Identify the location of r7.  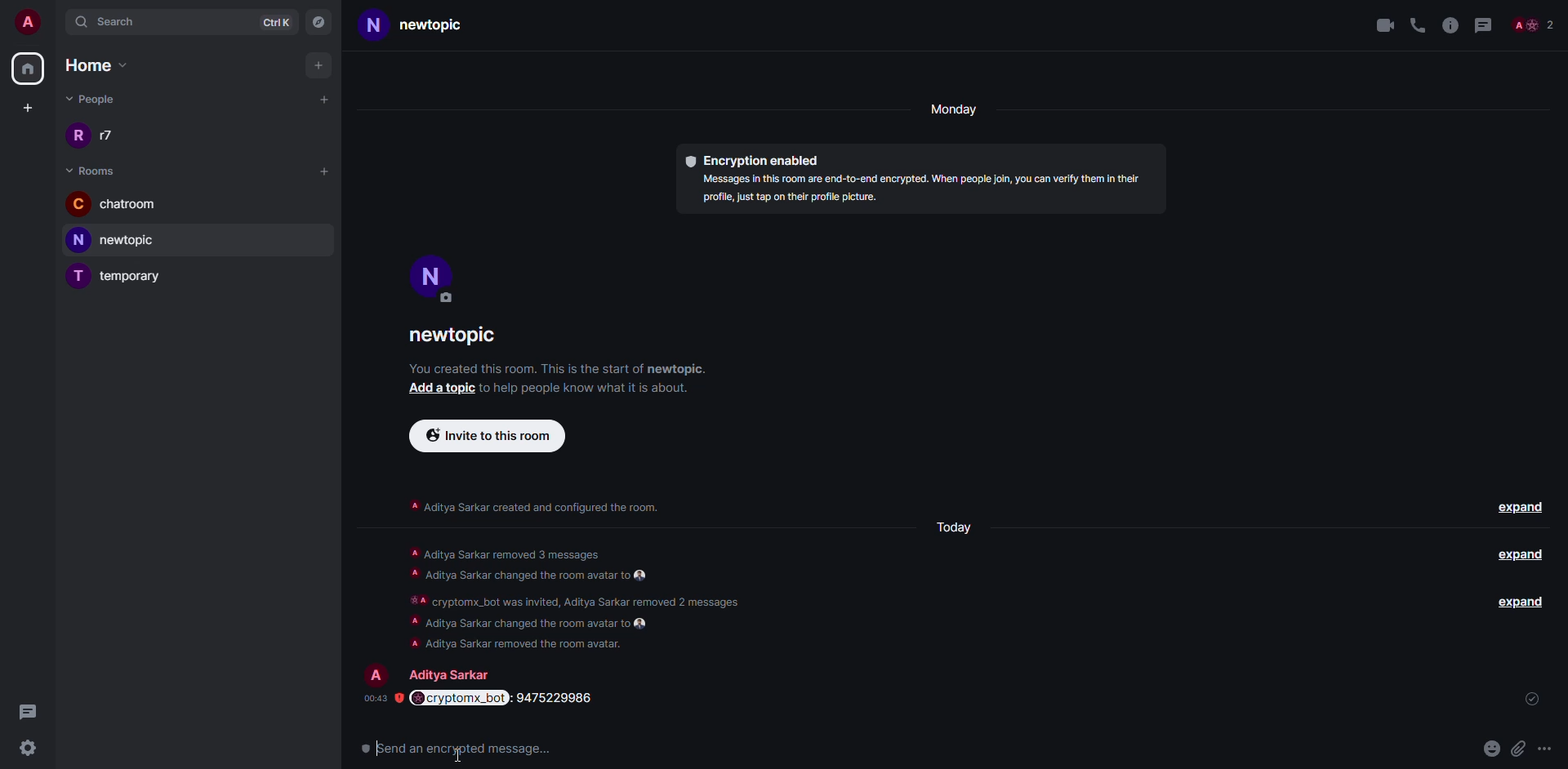
(99, 137).